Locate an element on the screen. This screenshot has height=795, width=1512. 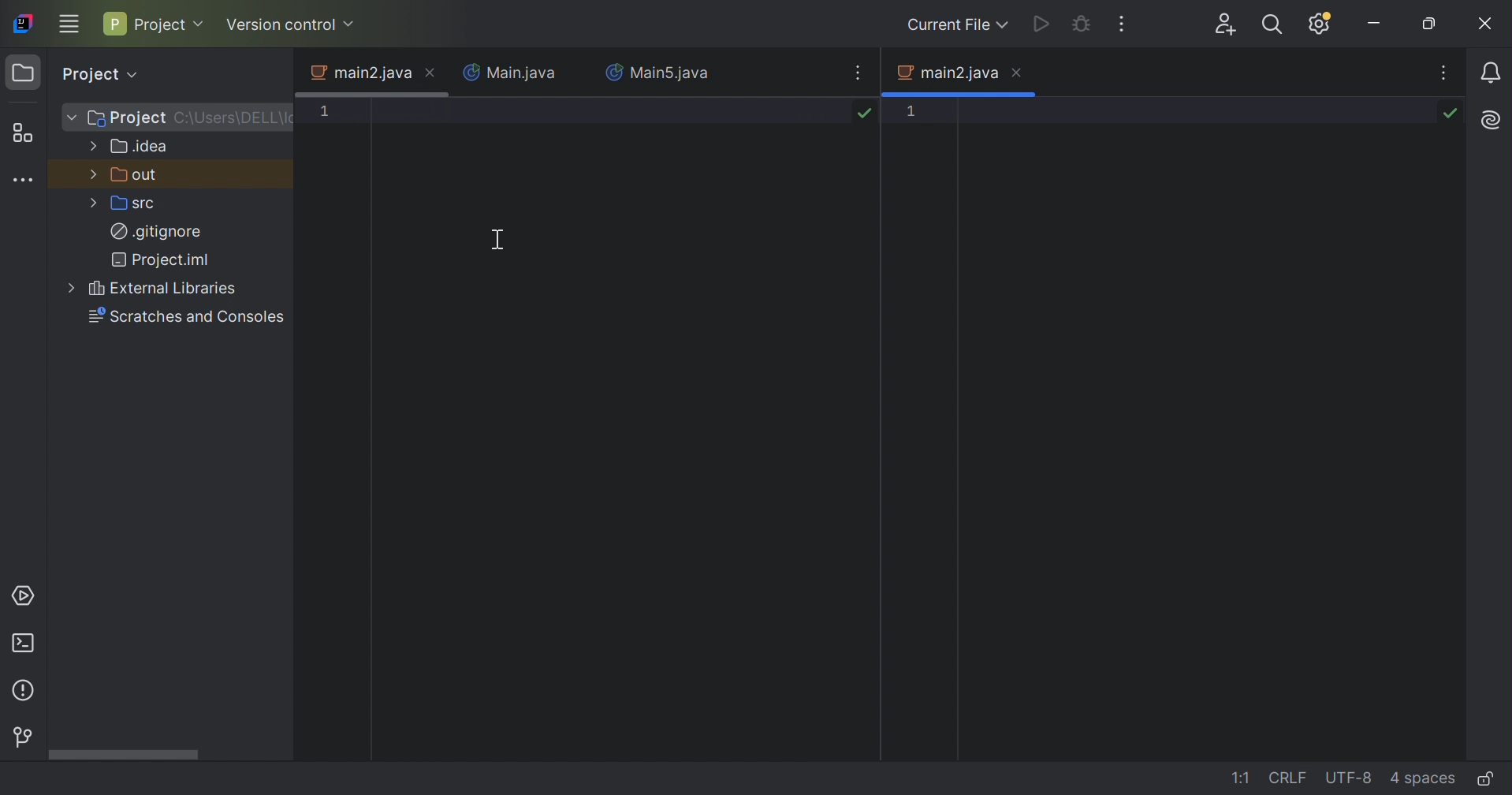
.gitignore is located at coordinates (157, 233).